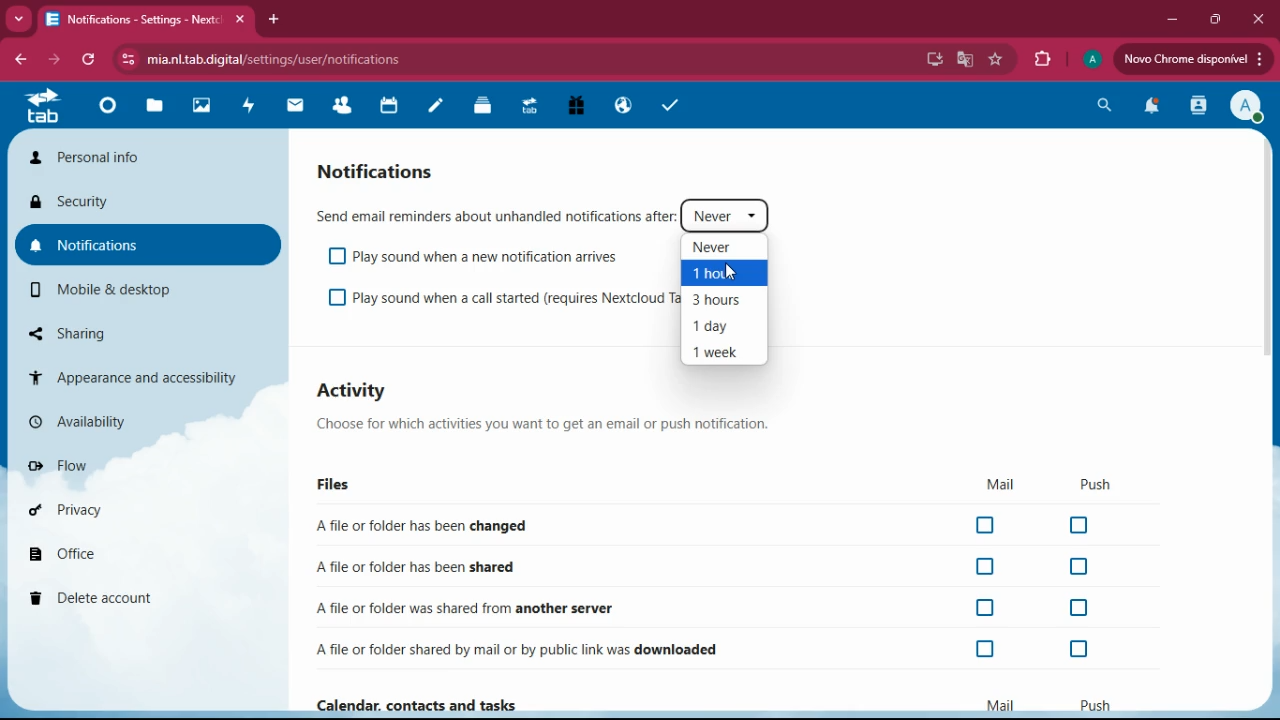  Describe the element at coordinates (132, 599) in the screenshot. I see `delete` at that location.